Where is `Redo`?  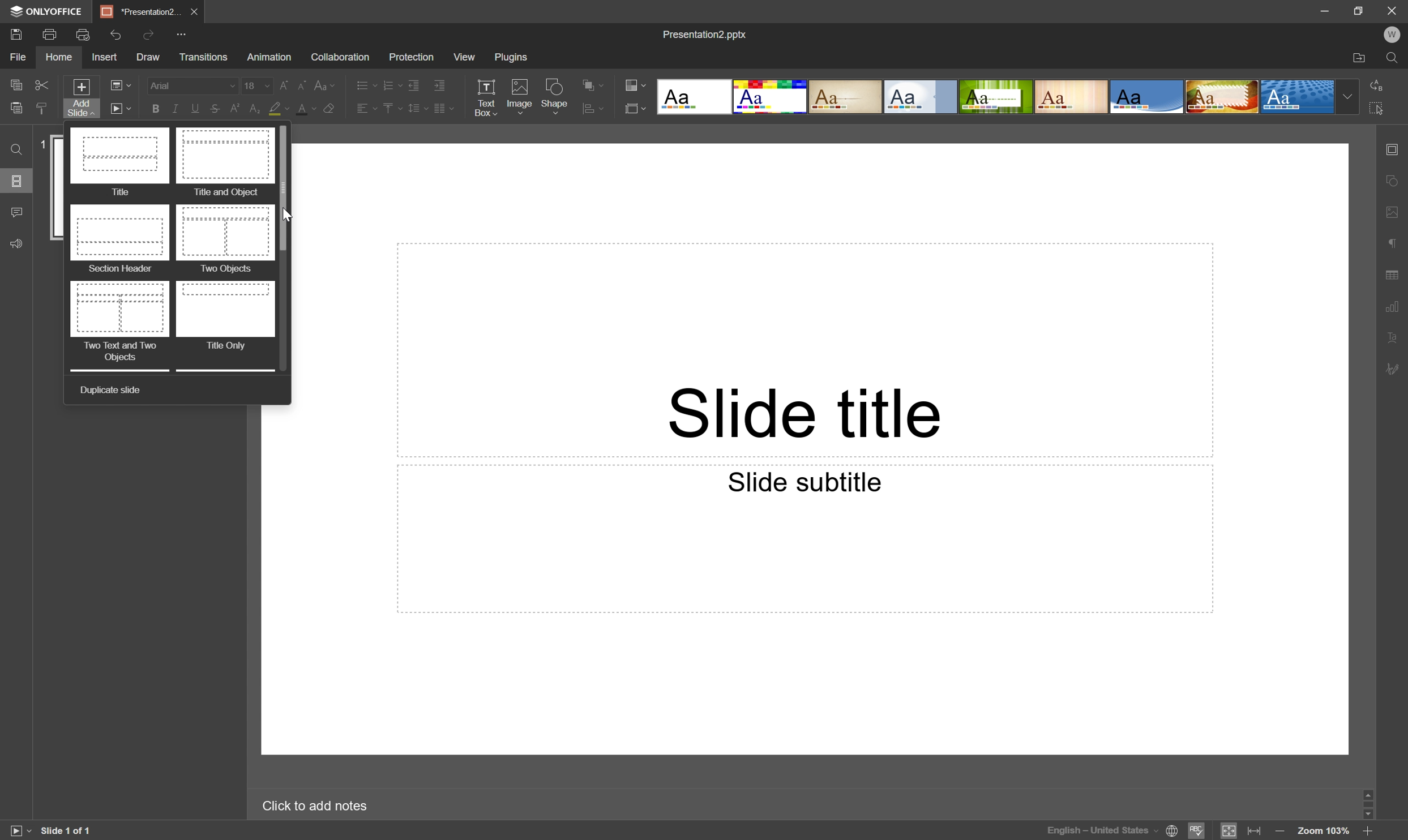 Redo is located at coordinates (151, 35).